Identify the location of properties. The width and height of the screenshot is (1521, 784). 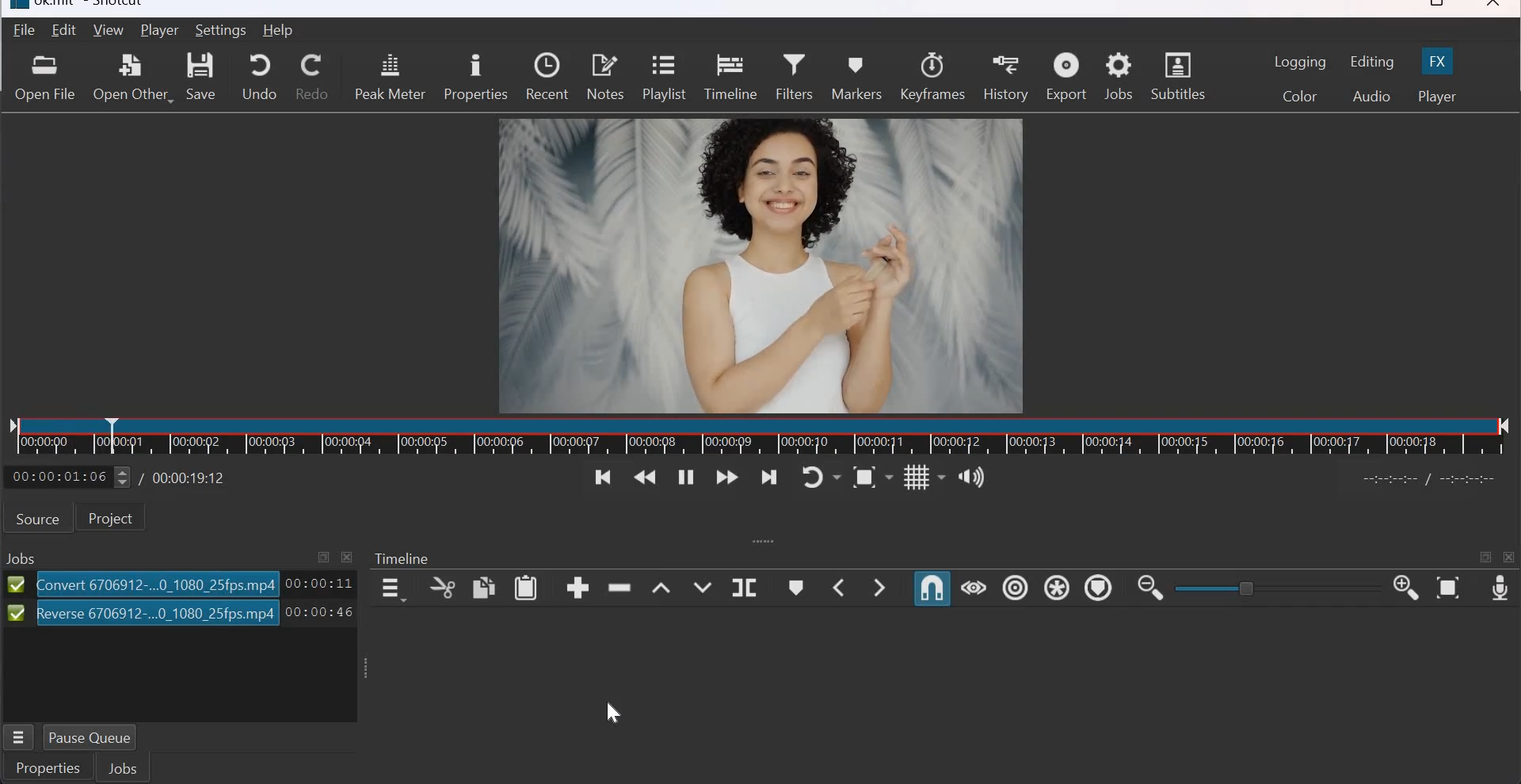
(475, 78).